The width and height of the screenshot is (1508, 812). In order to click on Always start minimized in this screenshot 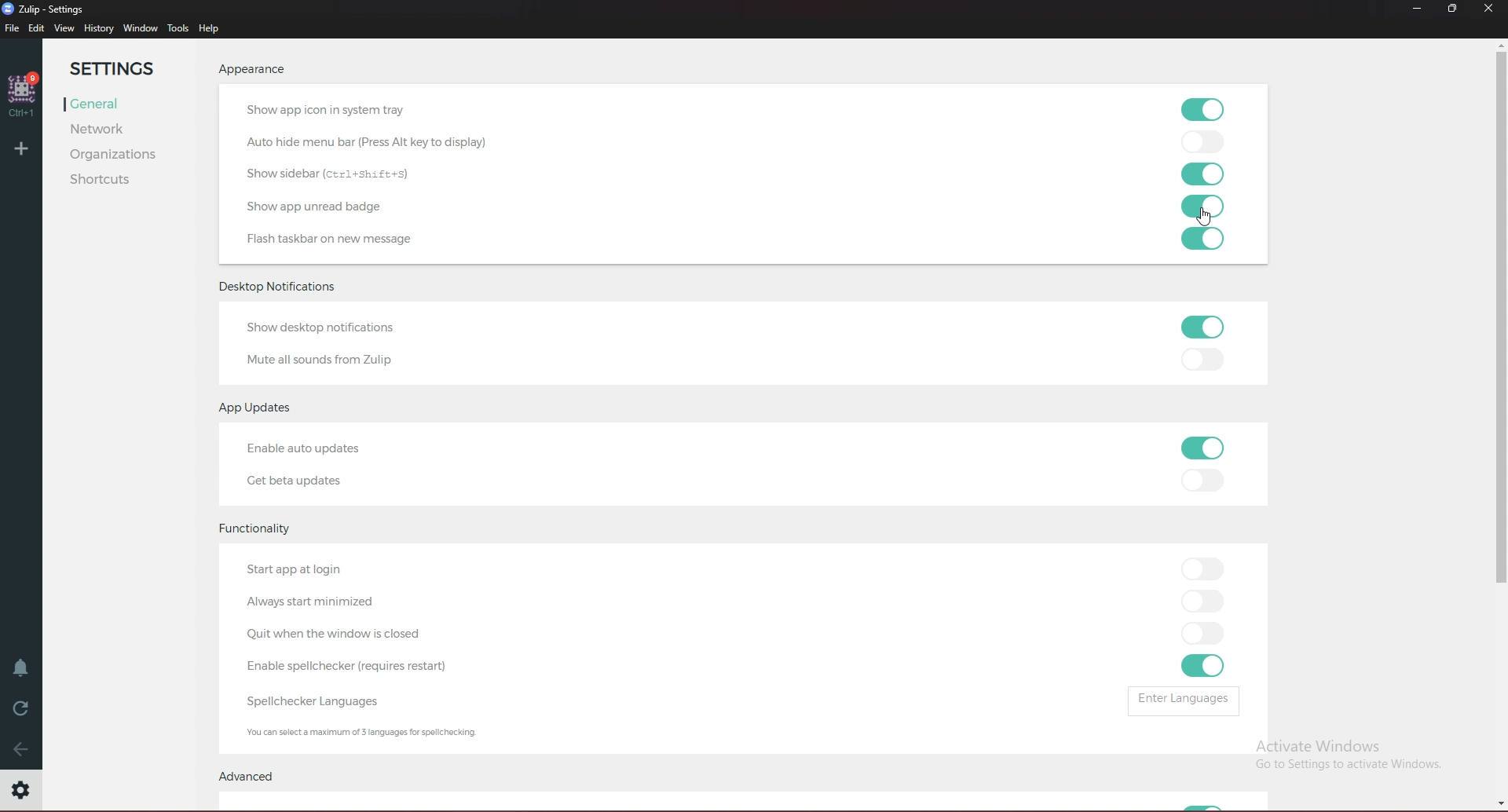, I will do `click(346, 602)`.